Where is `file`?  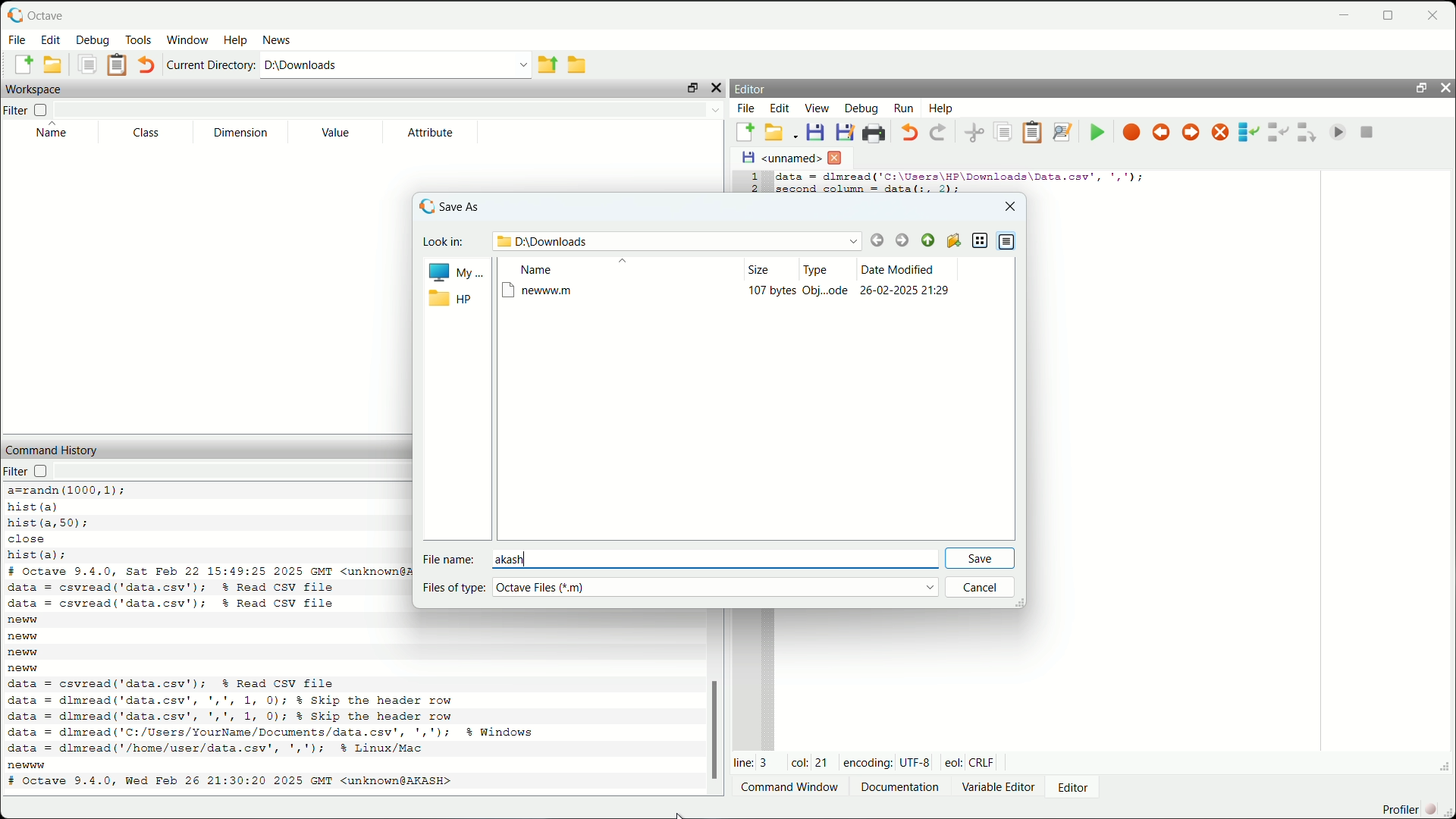
file is located at coordinates (17, 39).